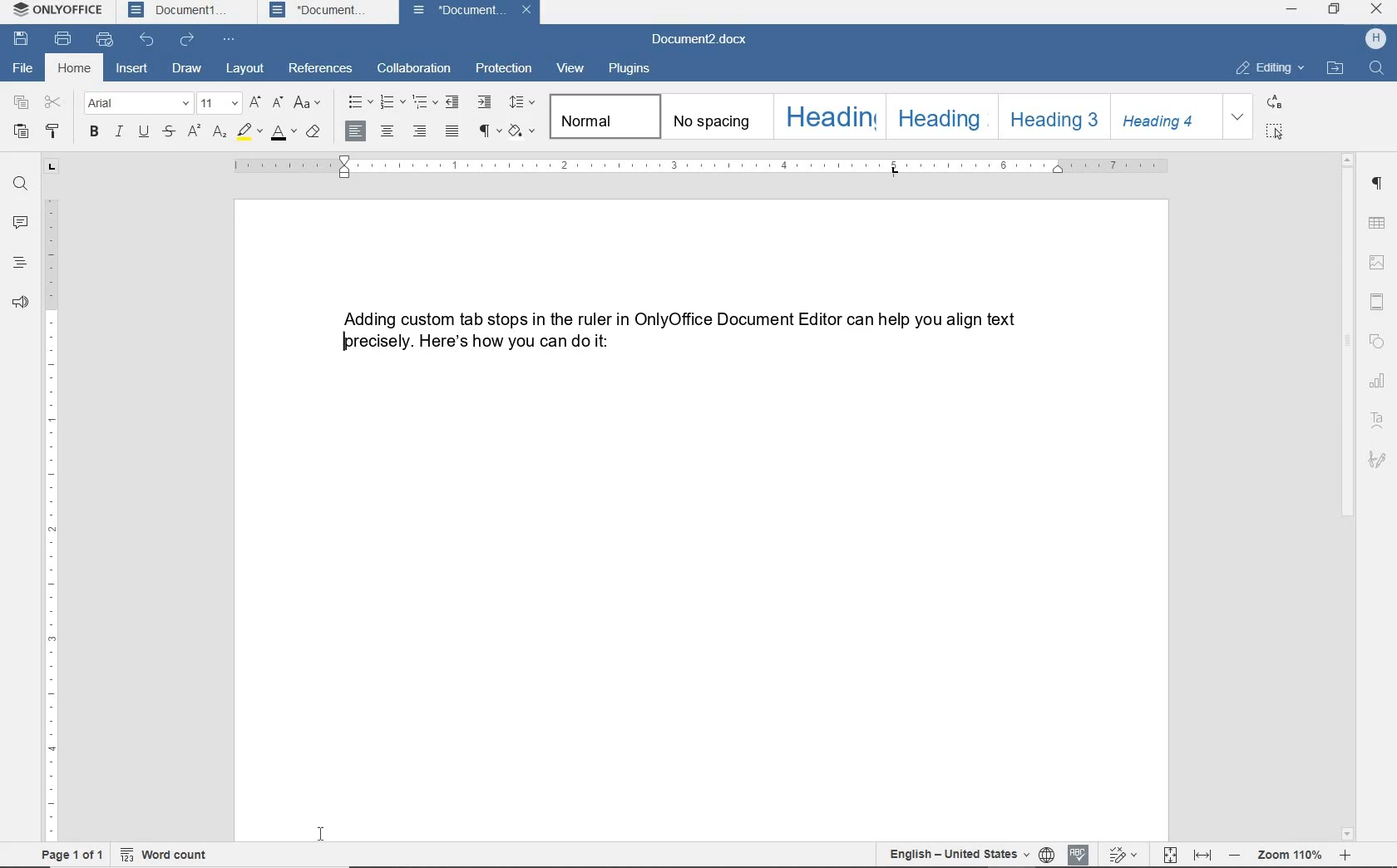 This screenshot has width=1397, height=868. What do you see at coordinates (1335, 8) in the screenshot?
I see `restore down` at bounding box center [1335, 8].